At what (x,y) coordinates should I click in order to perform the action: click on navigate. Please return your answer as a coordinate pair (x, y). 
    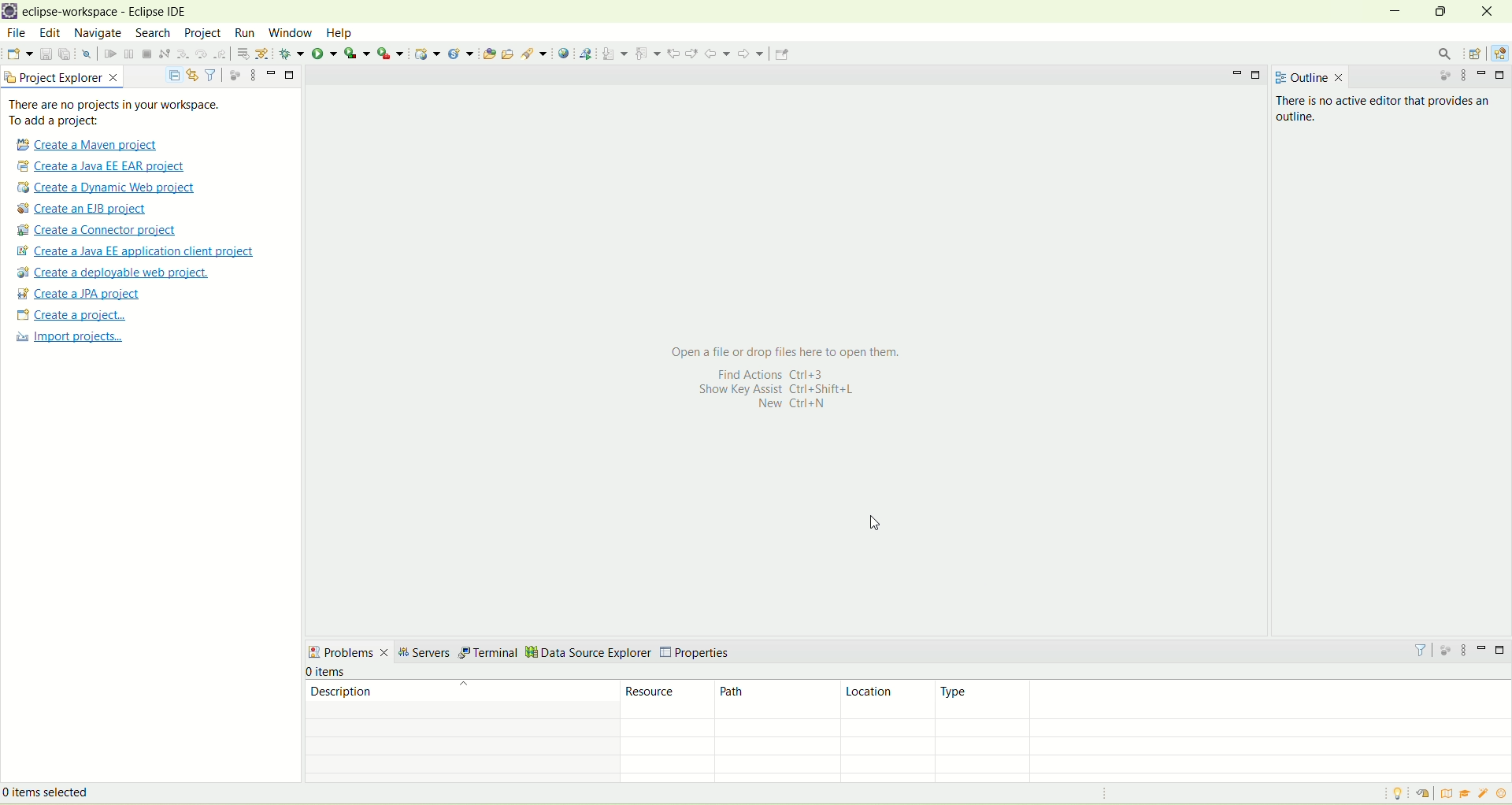
    Looking at the image, I should click on (98, 35).